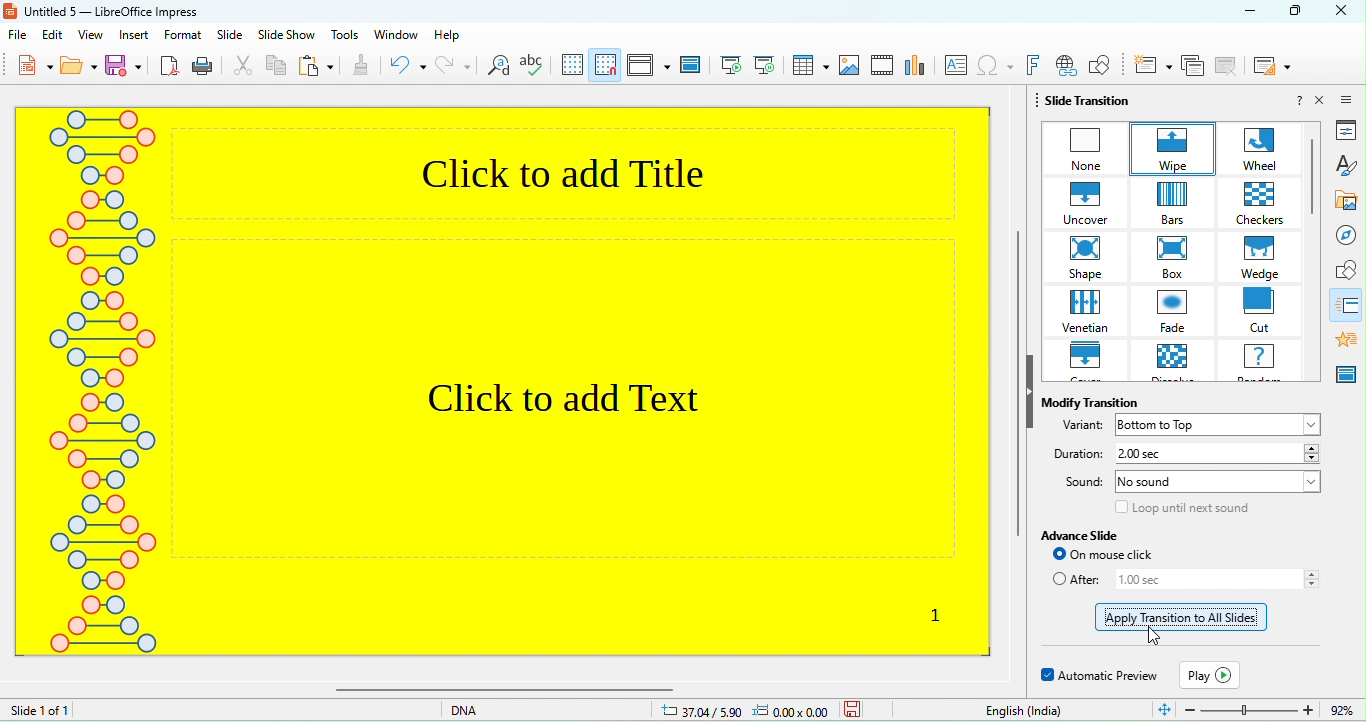 The image size is (1366, 722). I want to click on special character, so click(995, 68).